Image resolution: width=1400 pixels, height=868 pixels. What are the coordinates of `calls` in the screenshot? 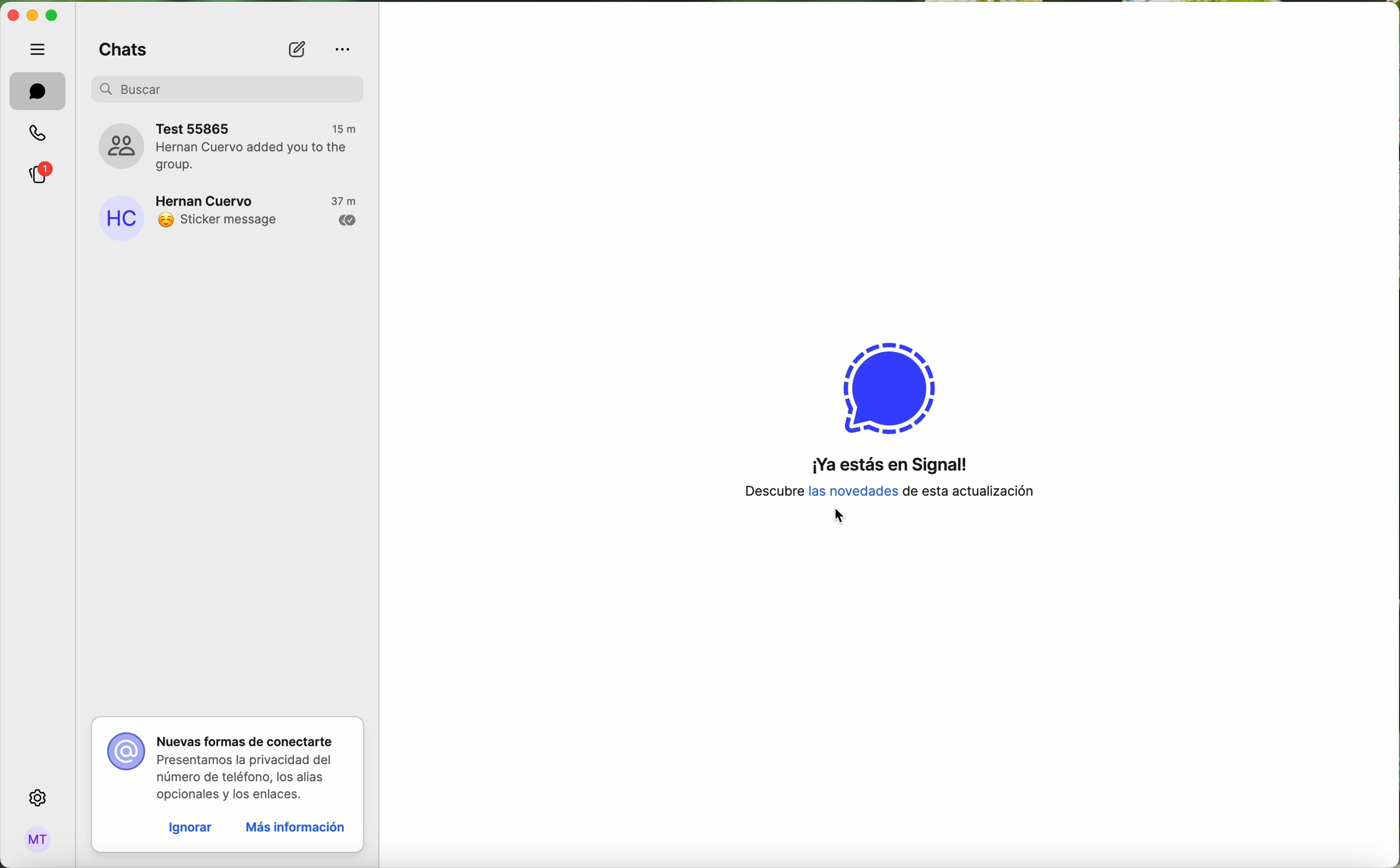 It's located at (40, 134).